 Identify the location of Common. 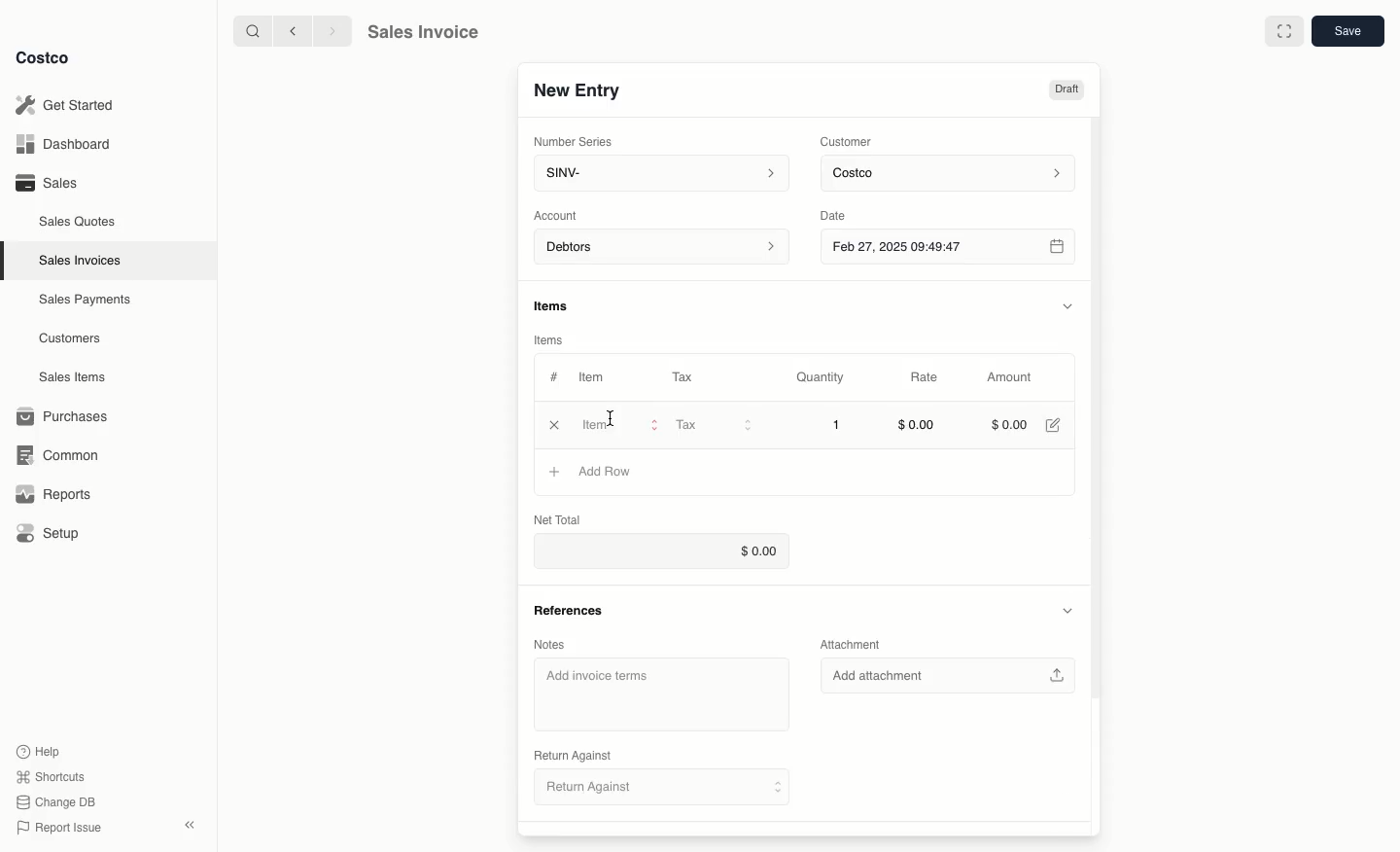
(53, 453).